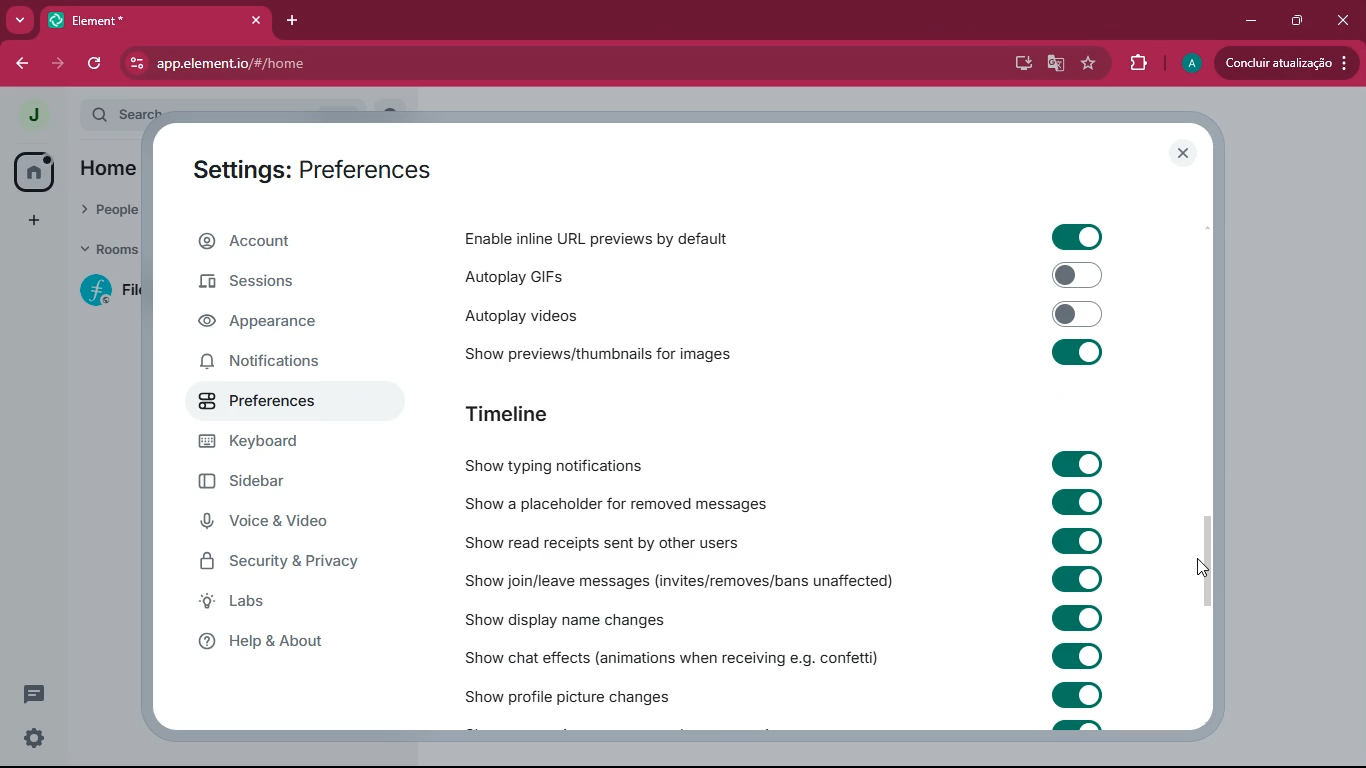 This screenshot has width=1366, height=768. I want to click on maximize, so click(1293, 21).